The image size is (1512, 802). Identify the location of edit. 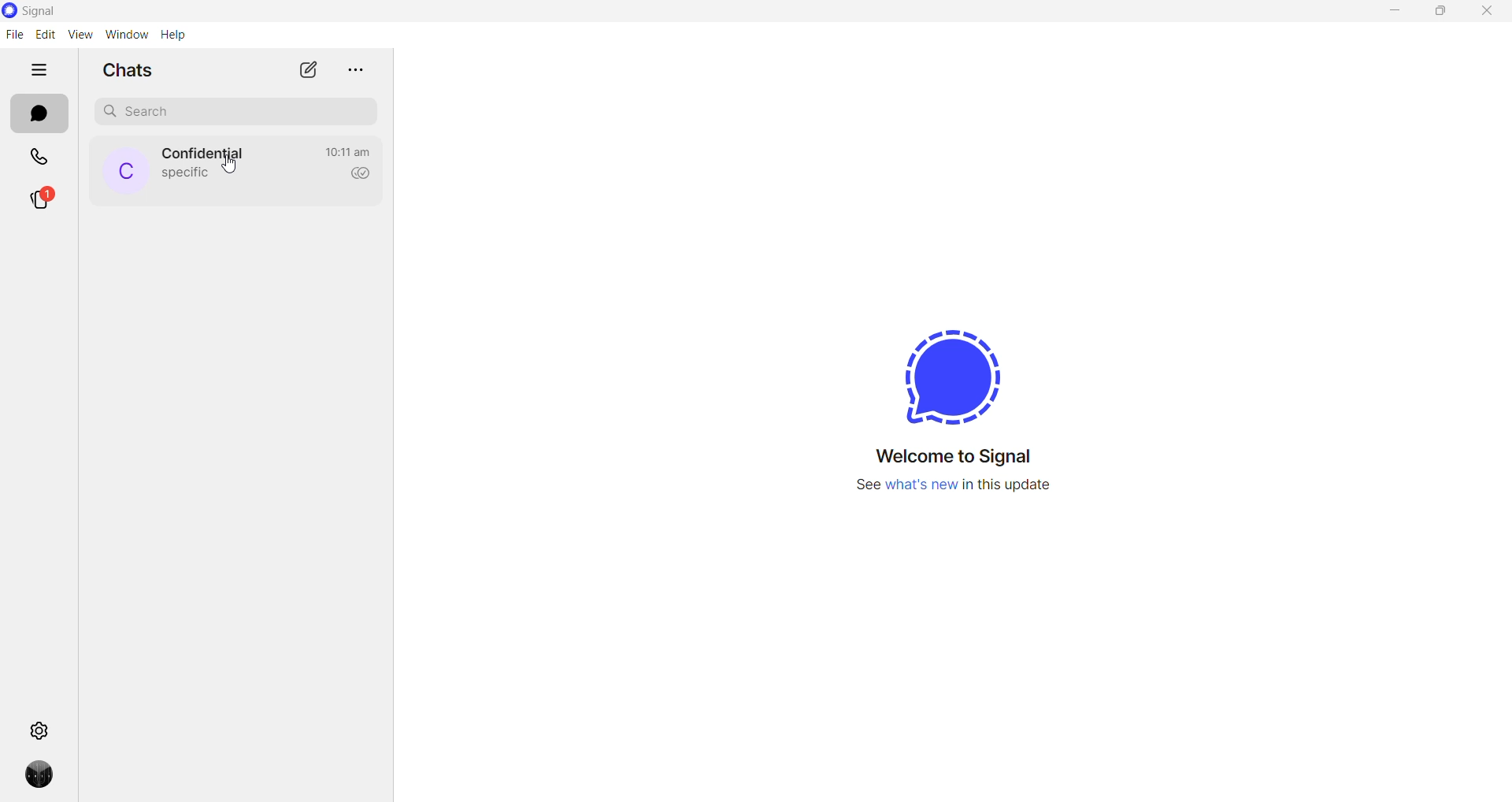
(45, 35).